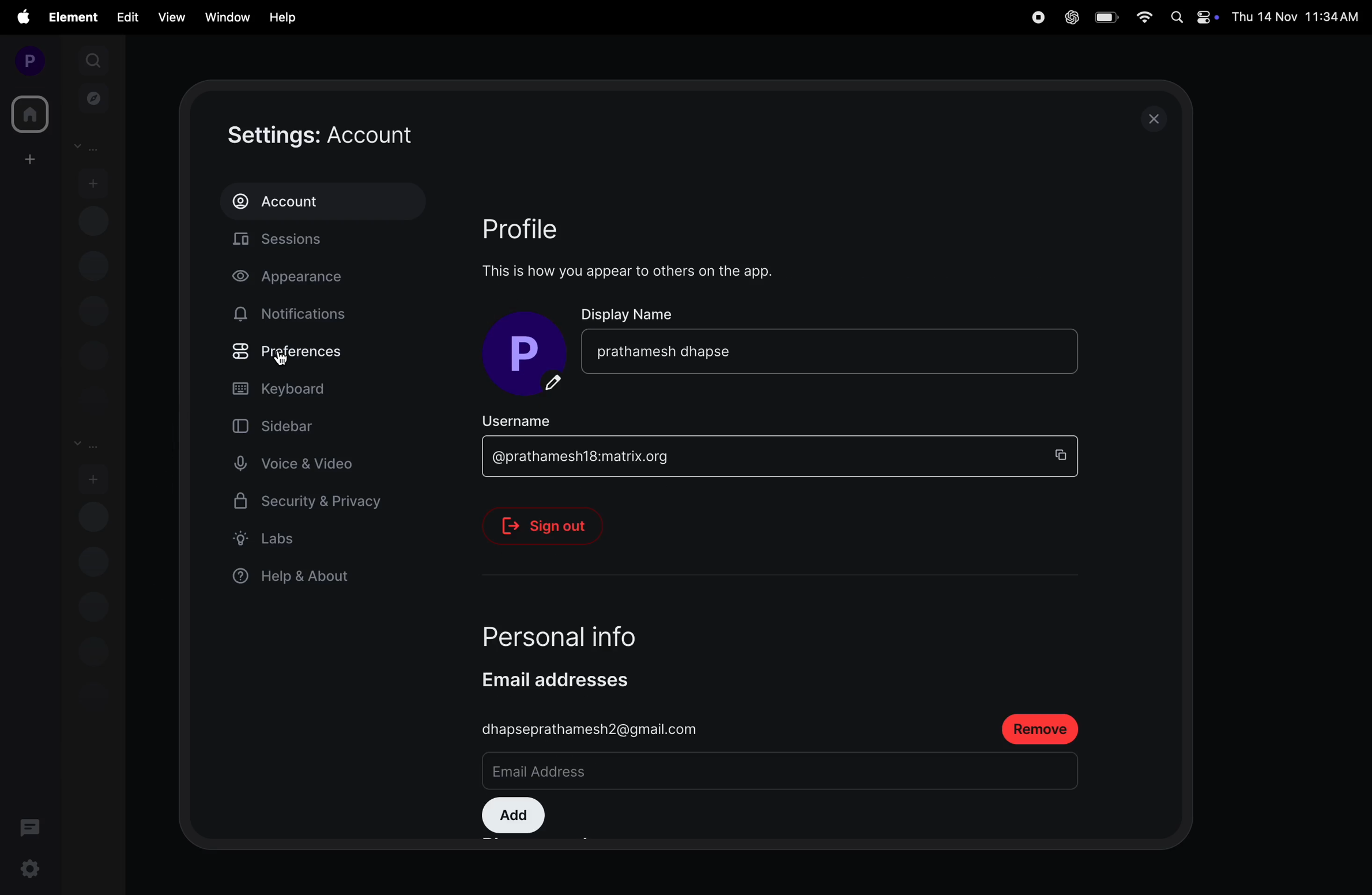  What do you see at coordinates (300, 579) in the screenshot?
I see `help and about` at bounding box center [300, 579].